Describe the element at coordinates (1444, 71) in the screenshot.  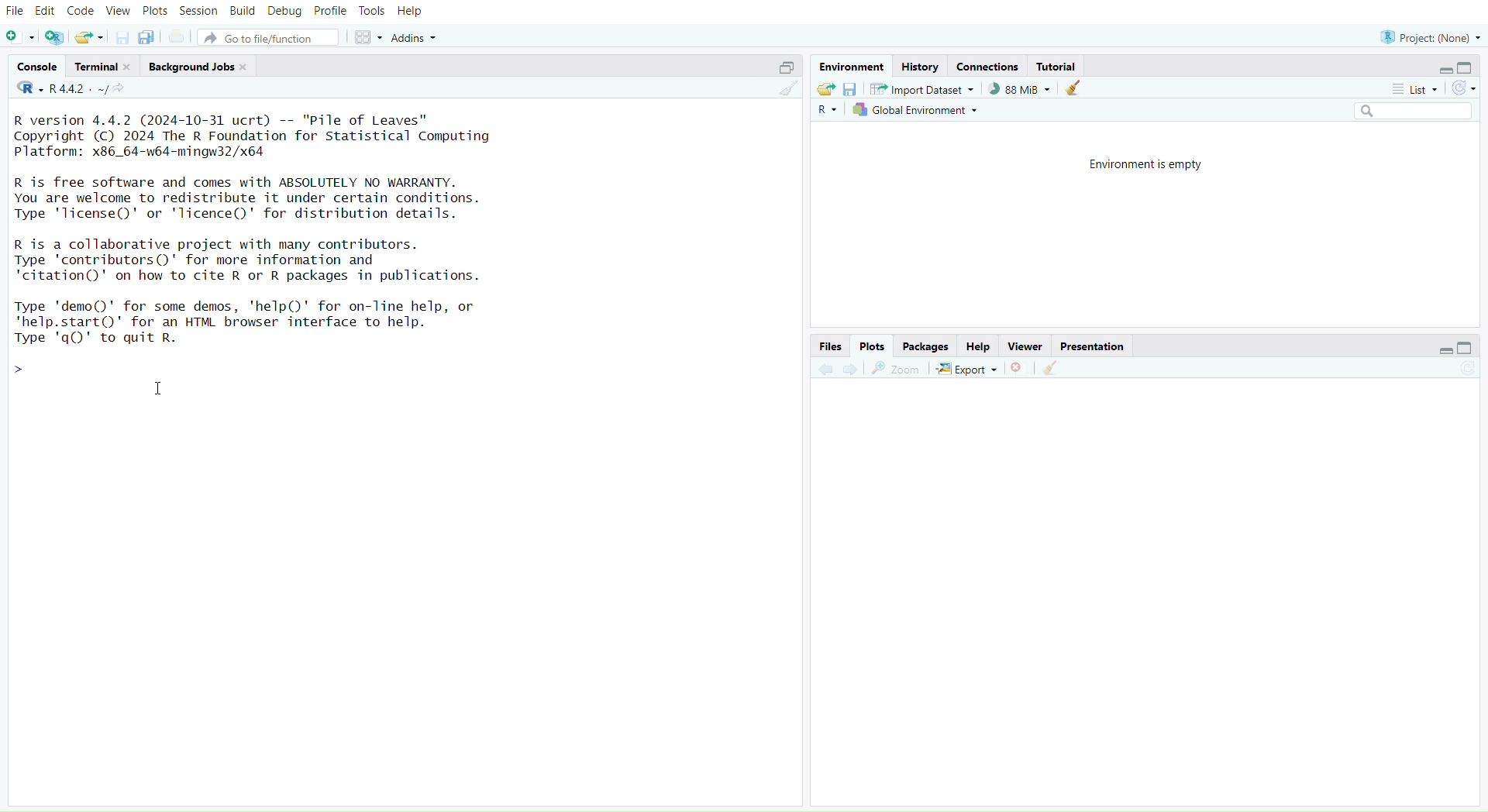
I see `expand` at that location.